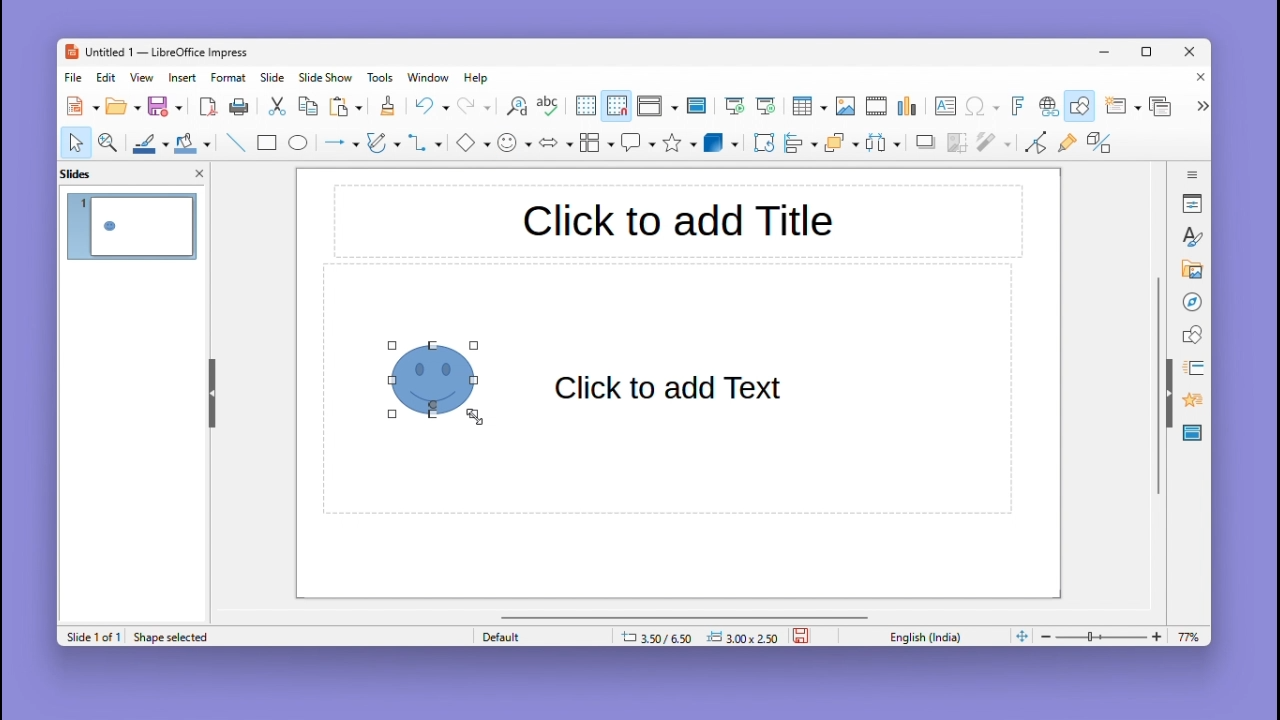 Image resolution: width=1280 pixels, height=720 pixels. I want to click on Insert, so click(185, 77).